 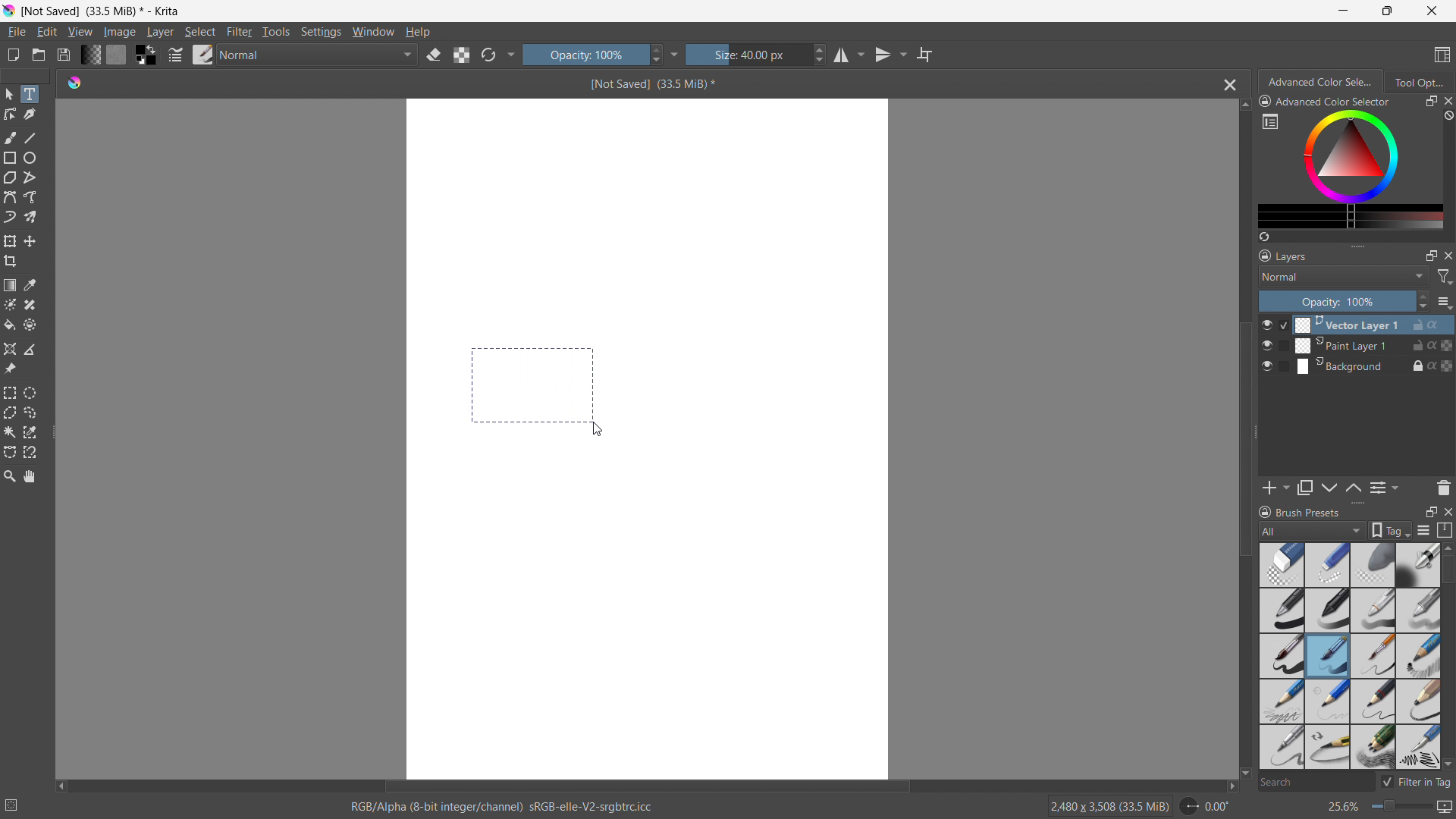 What do you see at coordinates (1374, 701) in the screenshot?
I see `small tip pencil` at bounding box center [1374, 701].